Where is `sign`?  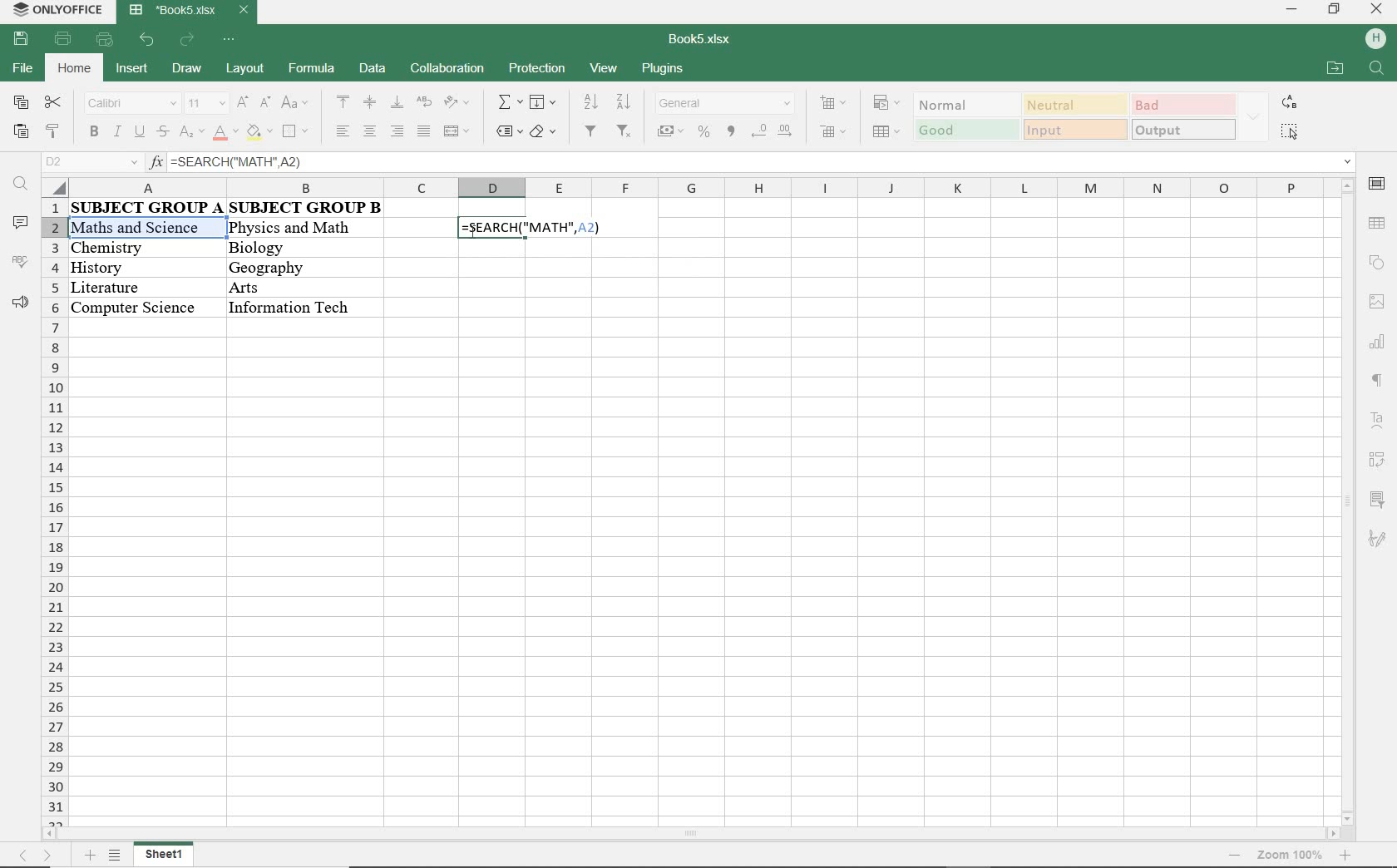
sign is located at coordinates (1376, 460).